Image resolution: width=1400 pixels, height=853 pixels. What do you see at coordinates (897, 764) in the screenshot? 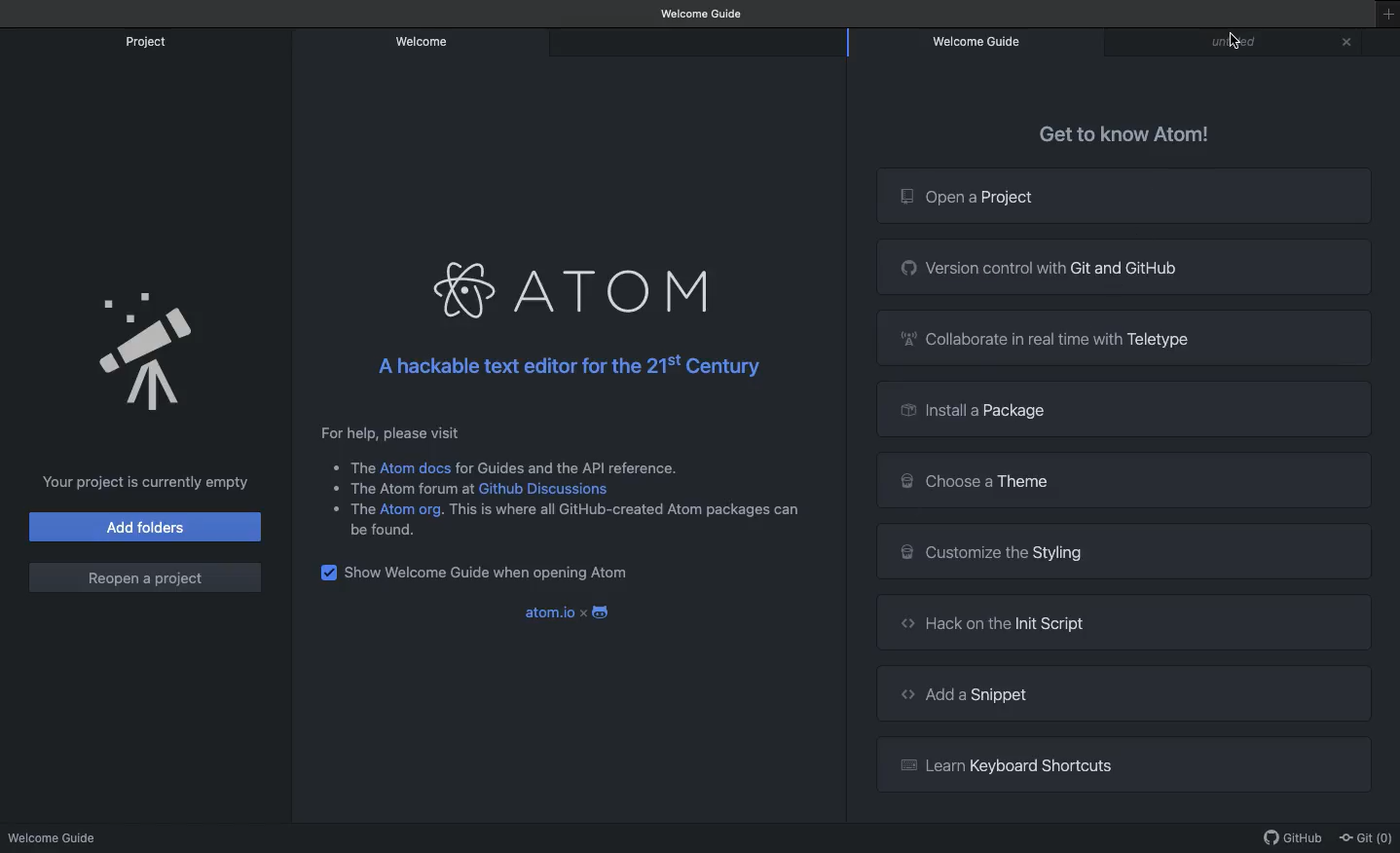
I see `logo` at bounding box center [897, 764].